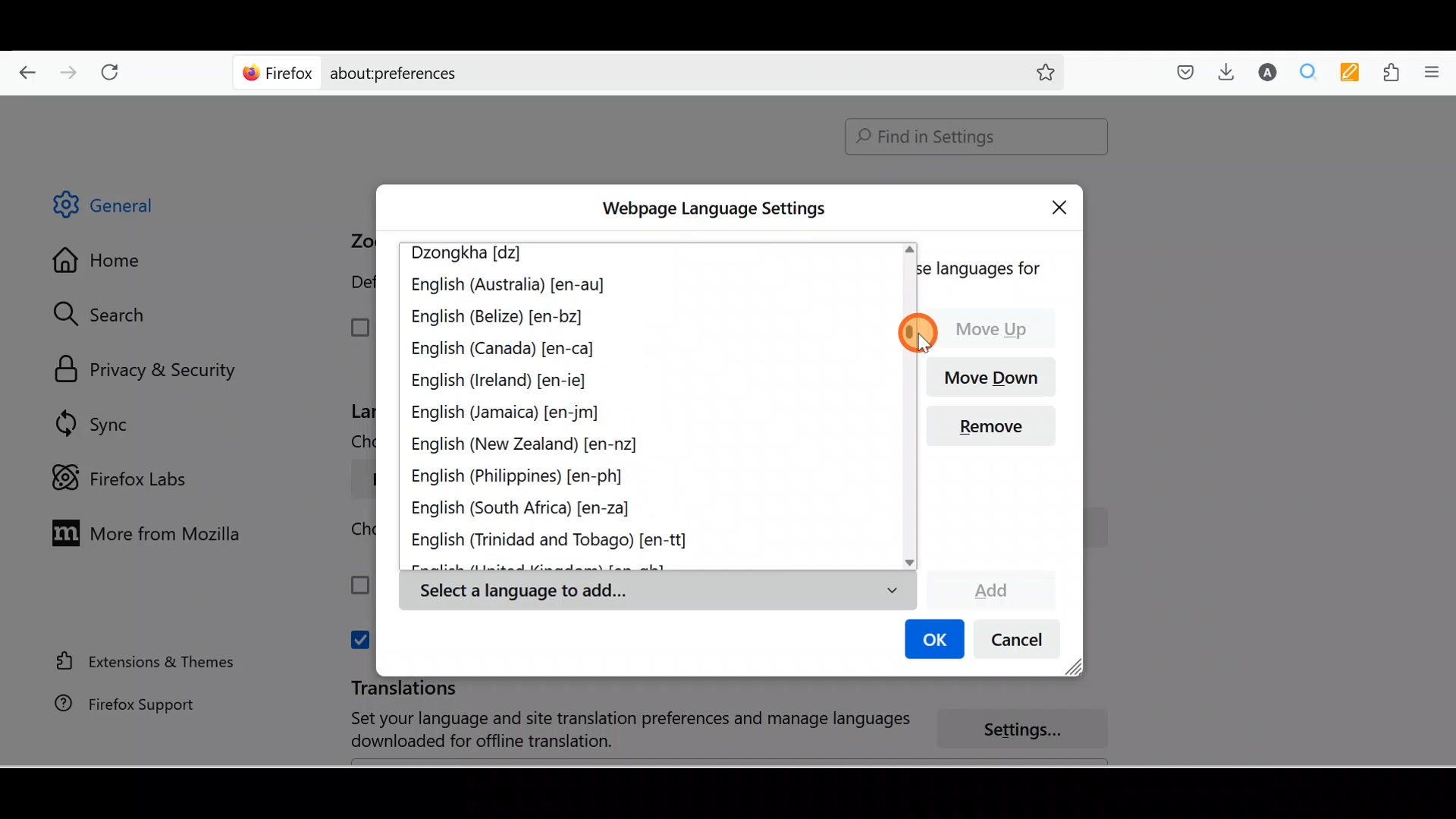  Describe the element at coordinates (999, 328) in the screenshot. I see `Move up` at that location.